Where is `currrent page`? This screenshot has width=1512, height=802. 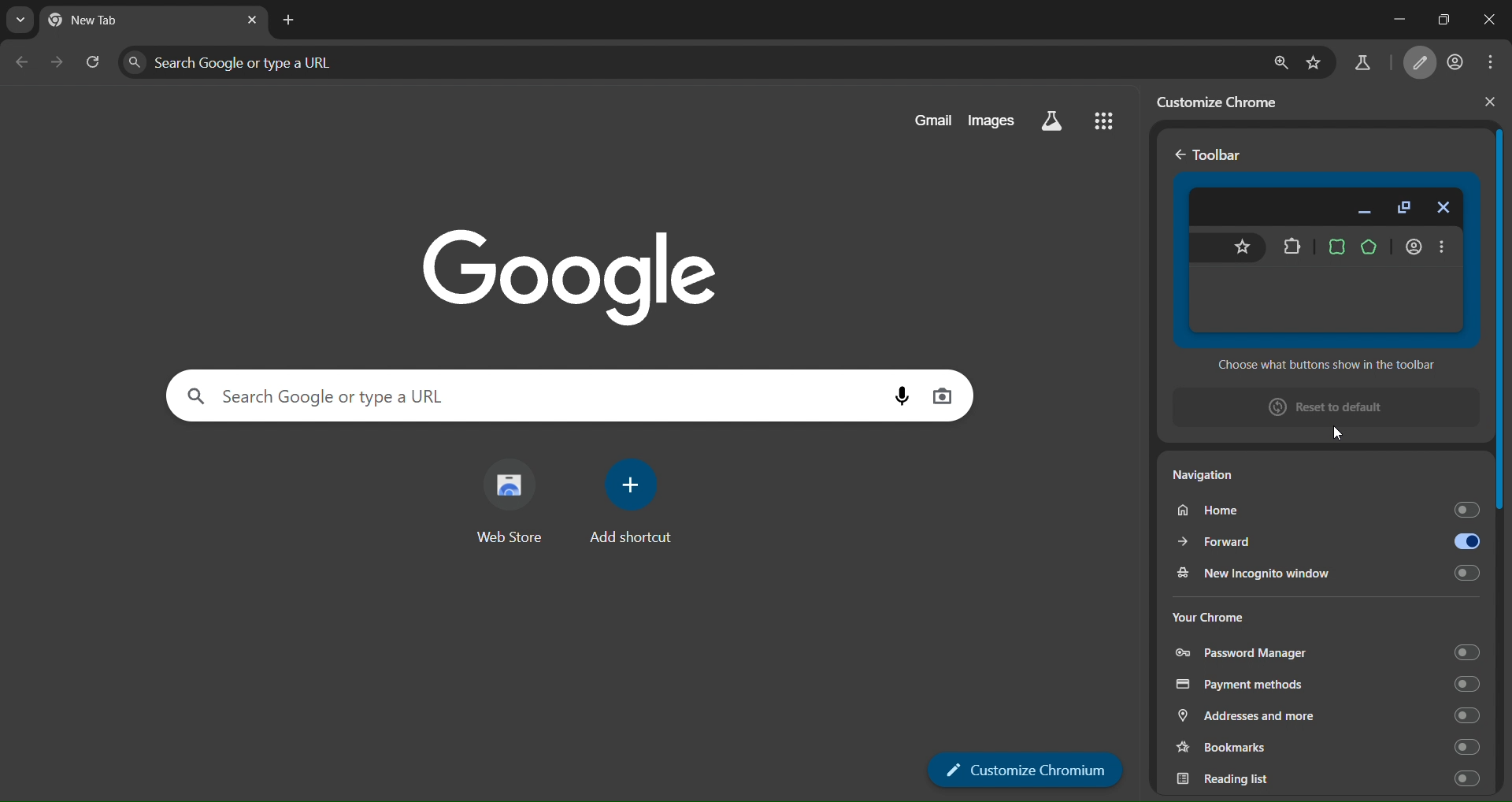
currrent page is located at coordinates (110, 20).